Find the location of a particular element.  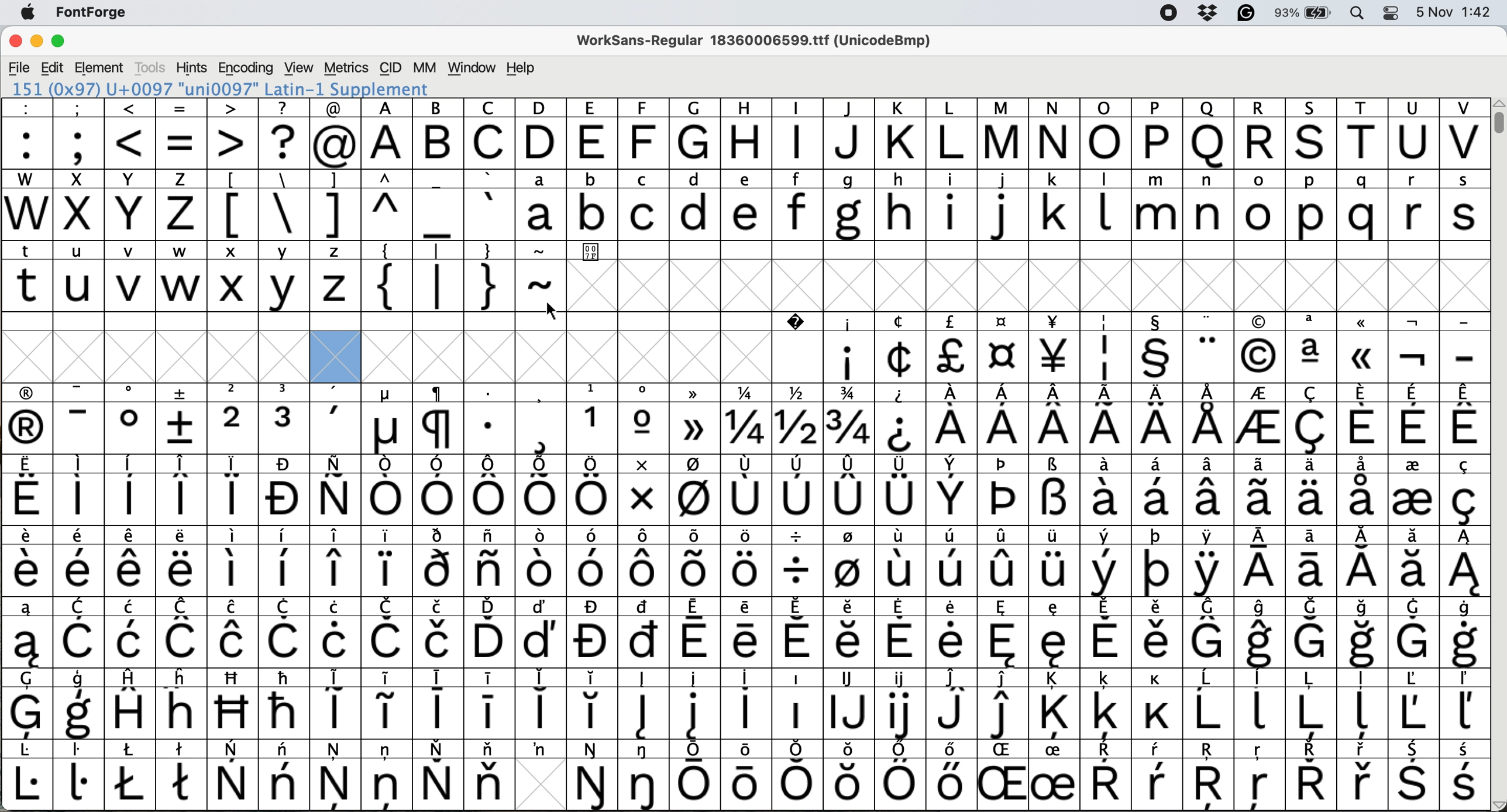

symbol is located at coordinates (1210, 419).